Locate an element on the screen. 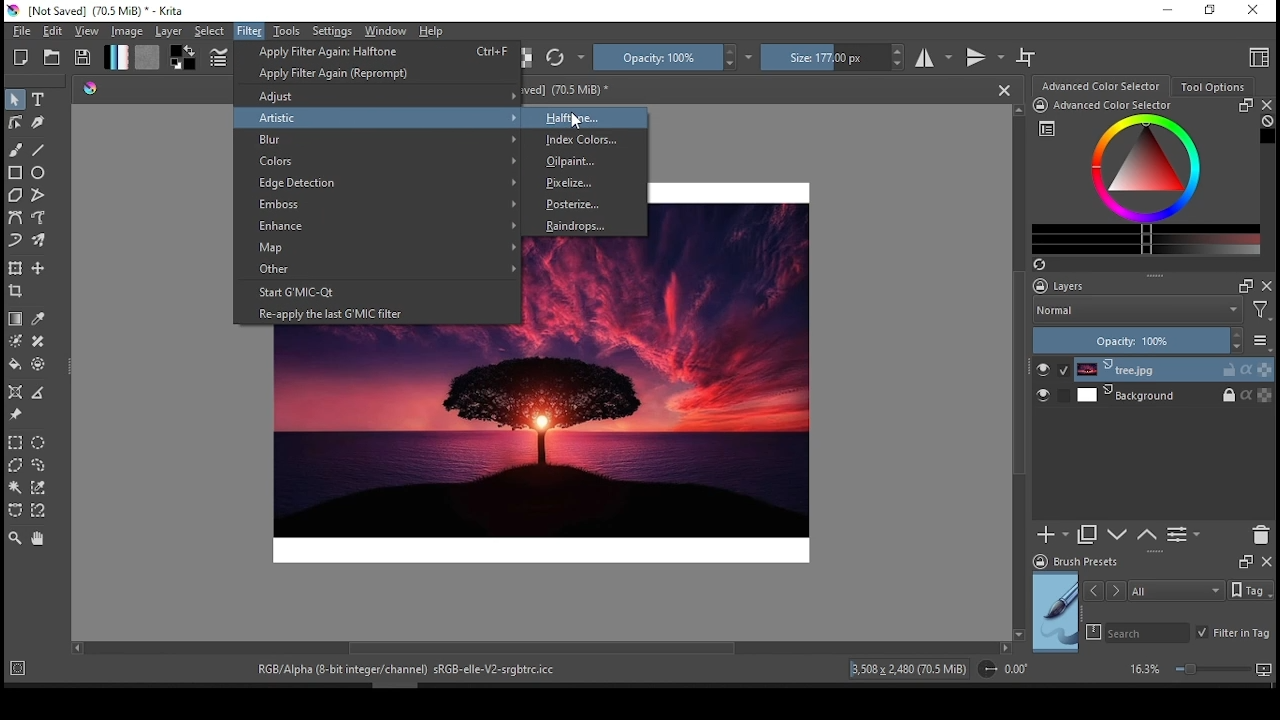 This screenshot has width=1280, height=720. window is located at coordinates (386, 31).